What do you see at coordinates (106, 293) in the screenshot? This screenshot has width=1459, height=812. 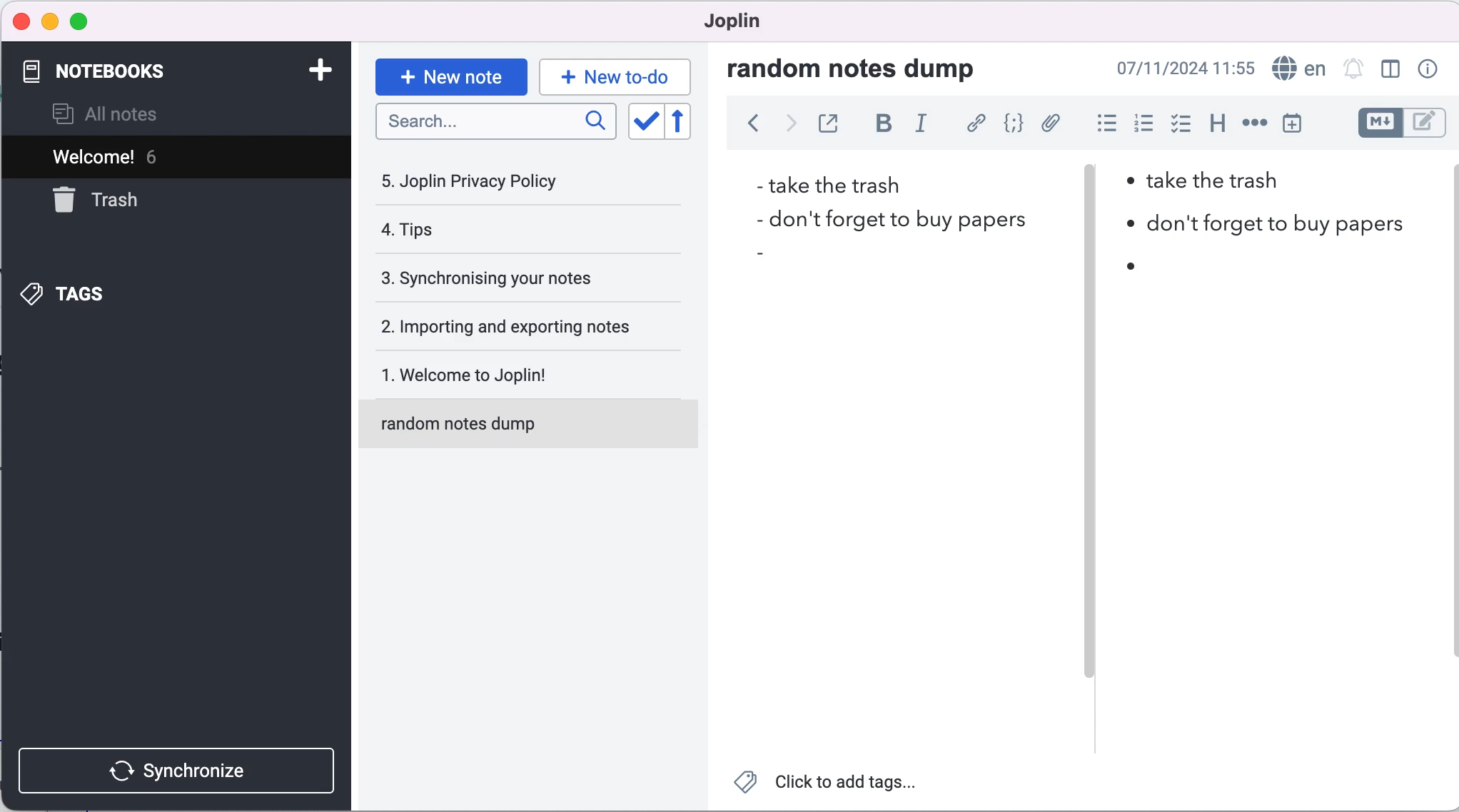 I see `tags` at bounding box center [106, 293].